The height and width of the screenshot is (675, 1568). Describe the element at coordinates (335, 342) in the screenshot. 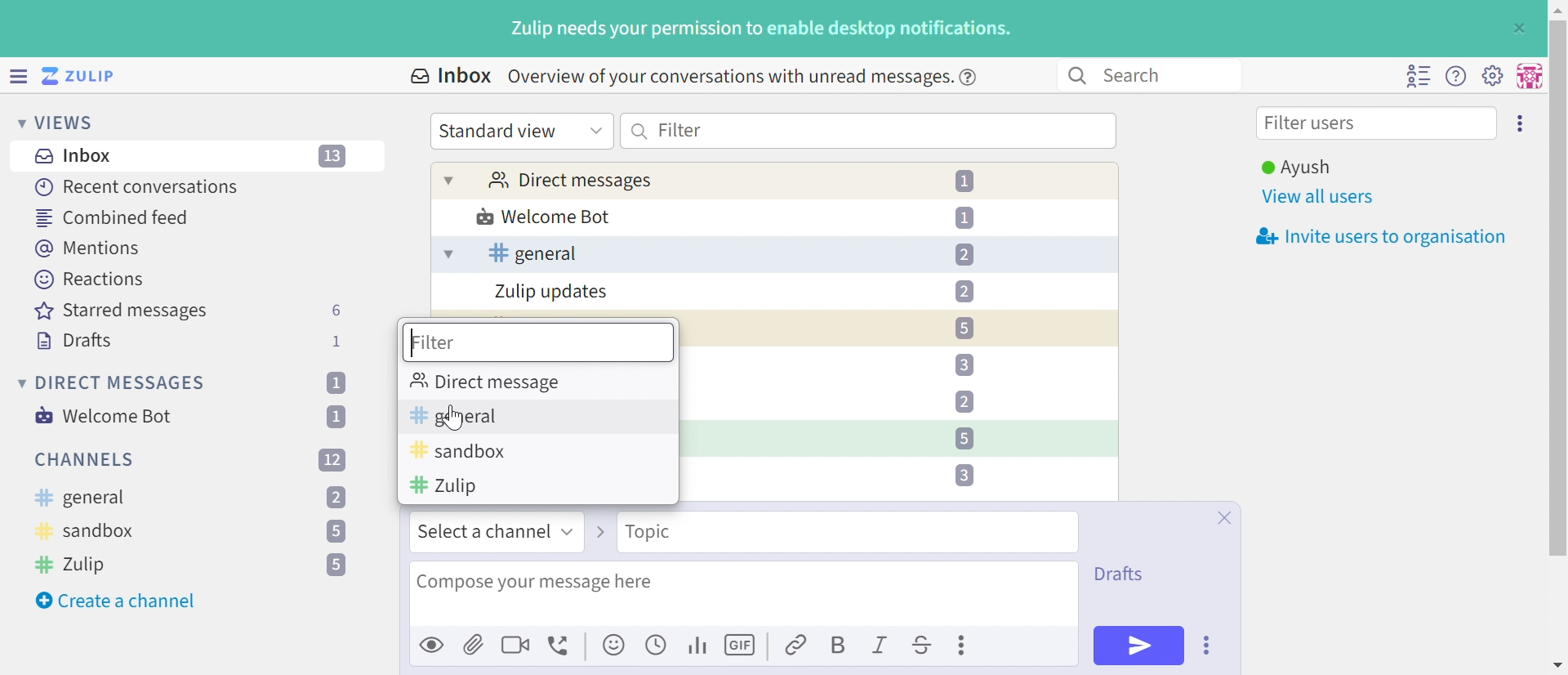

I see `1` at that location.